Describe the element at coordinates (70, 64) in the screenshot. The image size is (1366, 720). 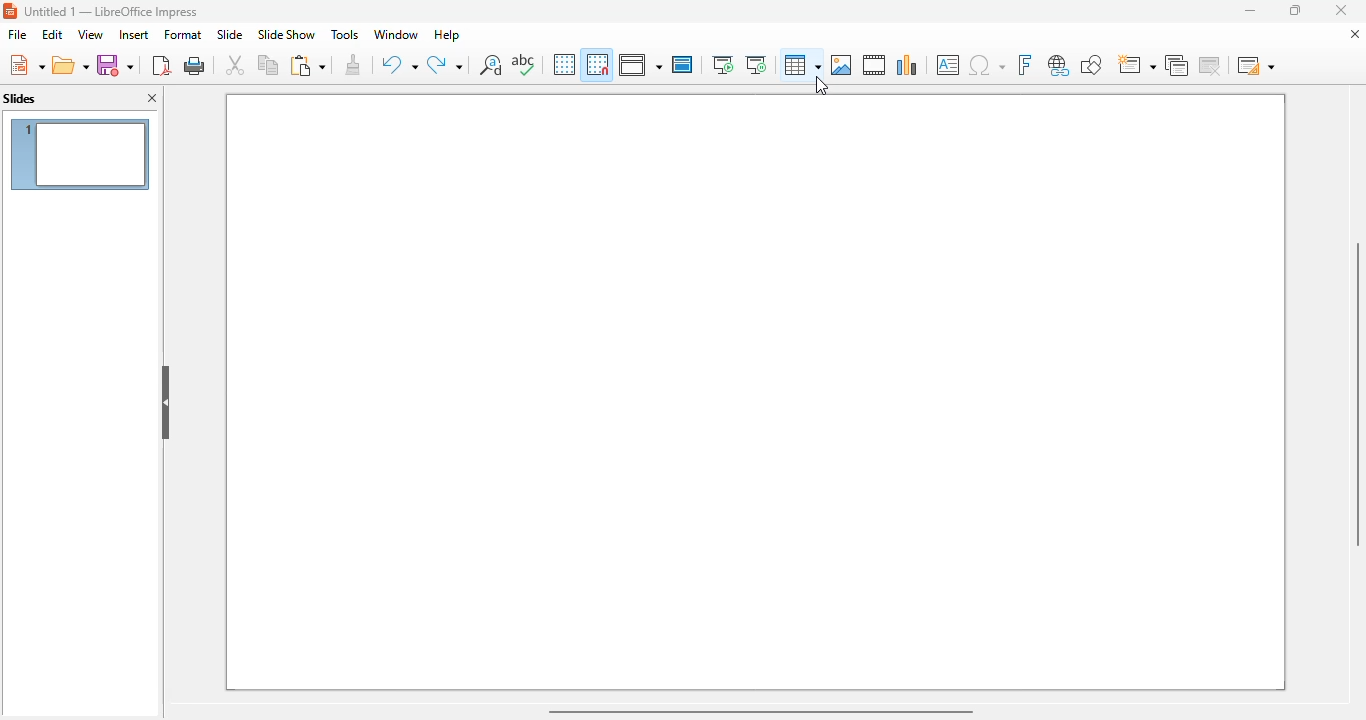
I see `open` at that location.